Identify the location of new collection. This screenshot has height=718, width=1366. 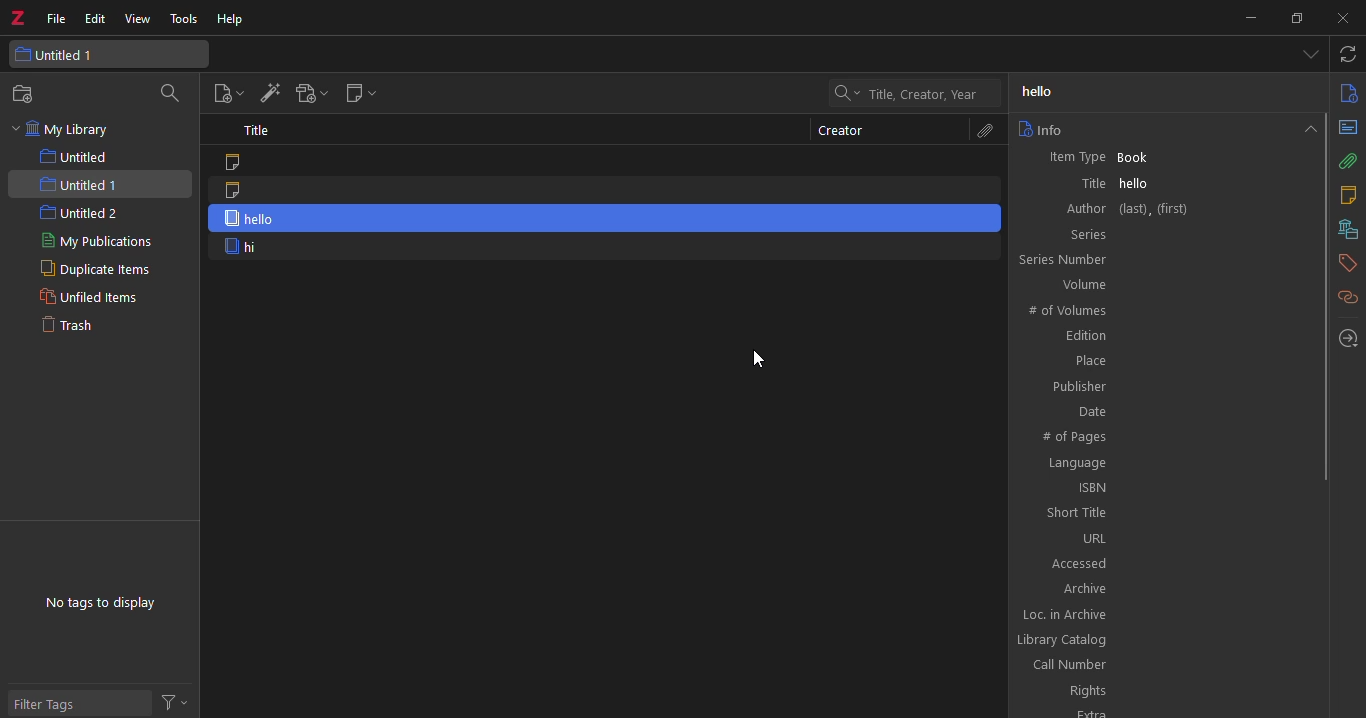
(28, 94).